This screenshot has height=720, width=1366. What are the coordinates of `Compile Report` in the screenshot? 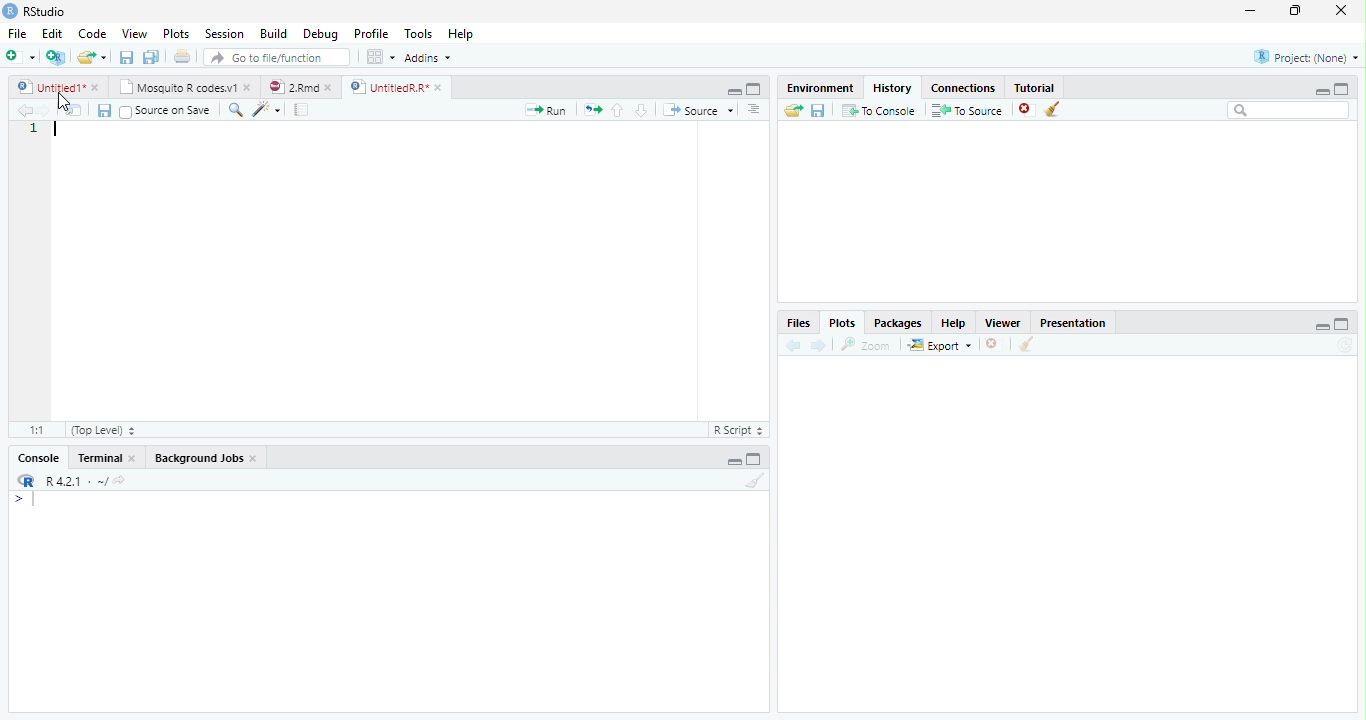 It's located at (302, 109).